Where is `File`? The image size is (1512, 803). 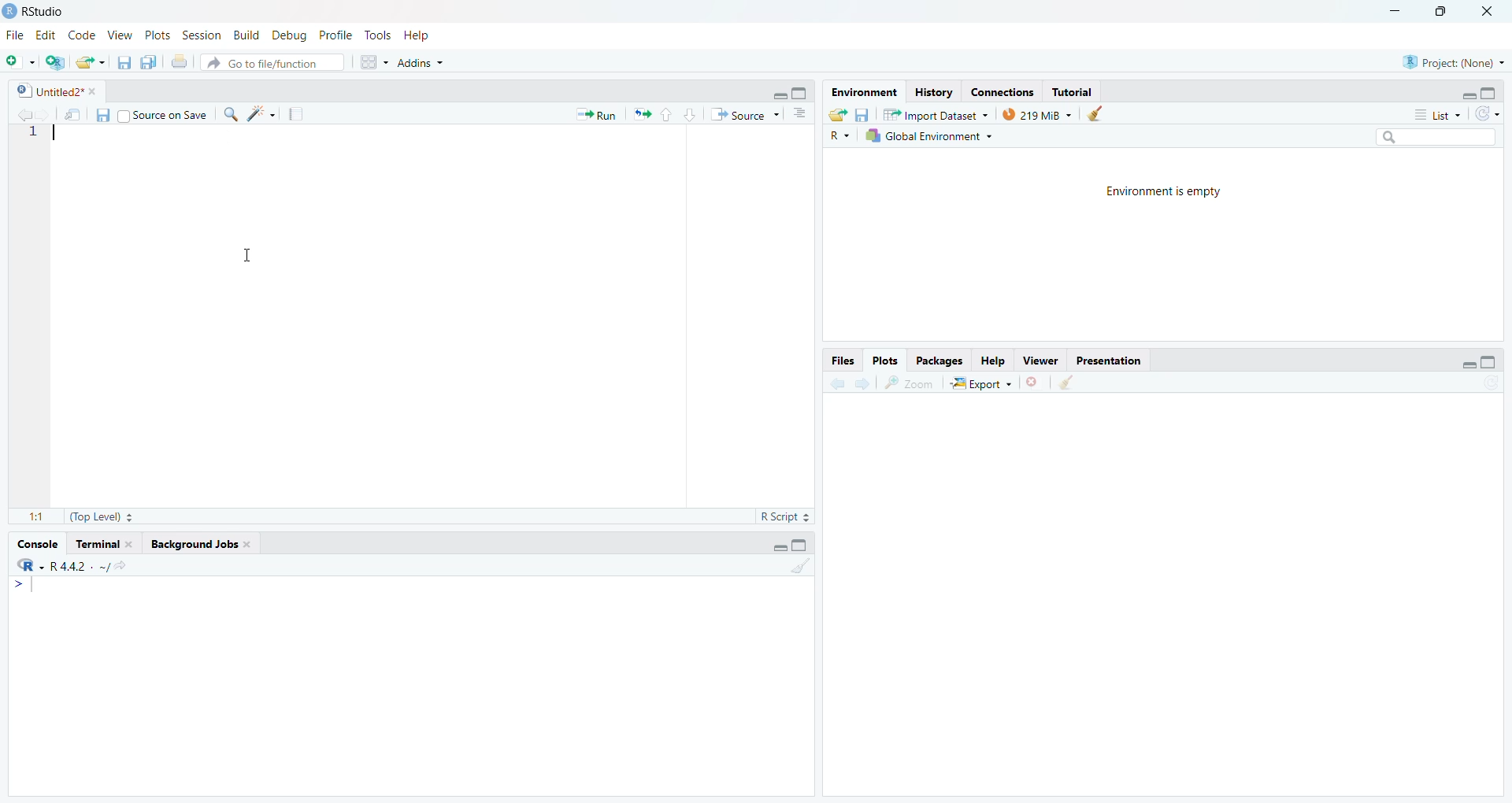
File is located at coordinates (17, 34).